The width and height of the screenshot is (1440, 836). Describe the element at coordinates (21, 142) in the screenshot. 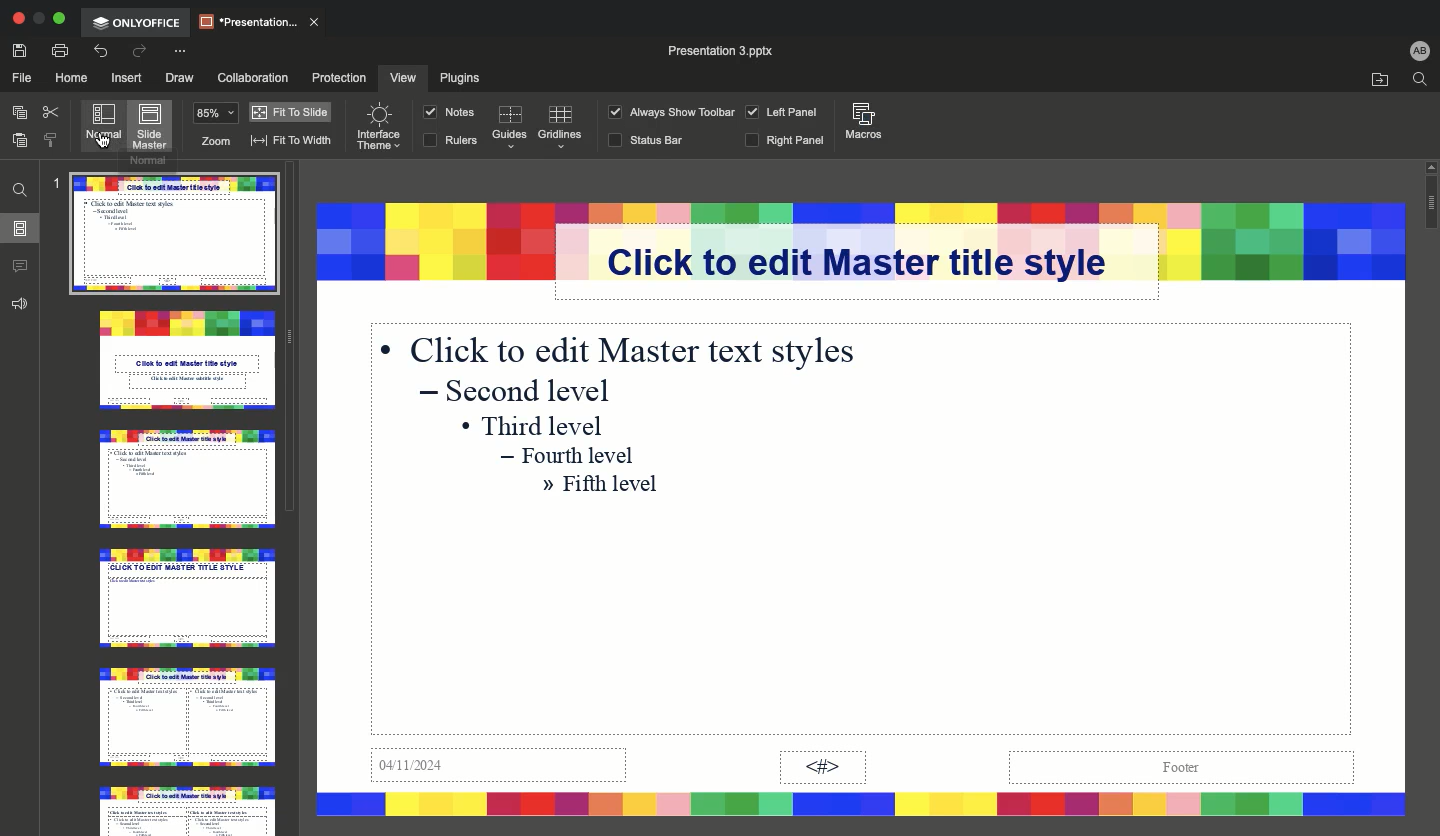

I see `Paste` at that location.